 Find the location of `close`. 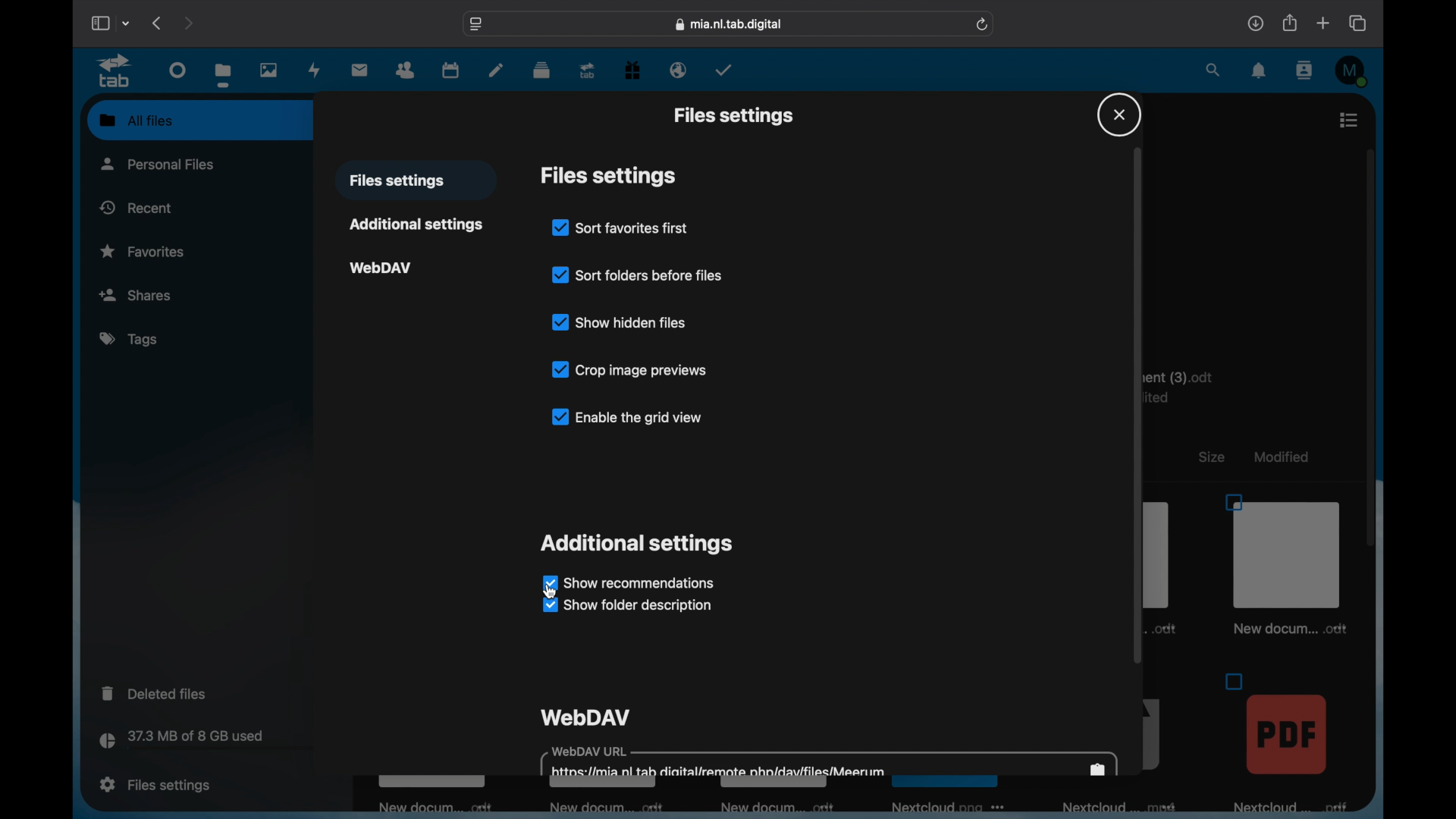

close is located at coordinates (1119, 113).